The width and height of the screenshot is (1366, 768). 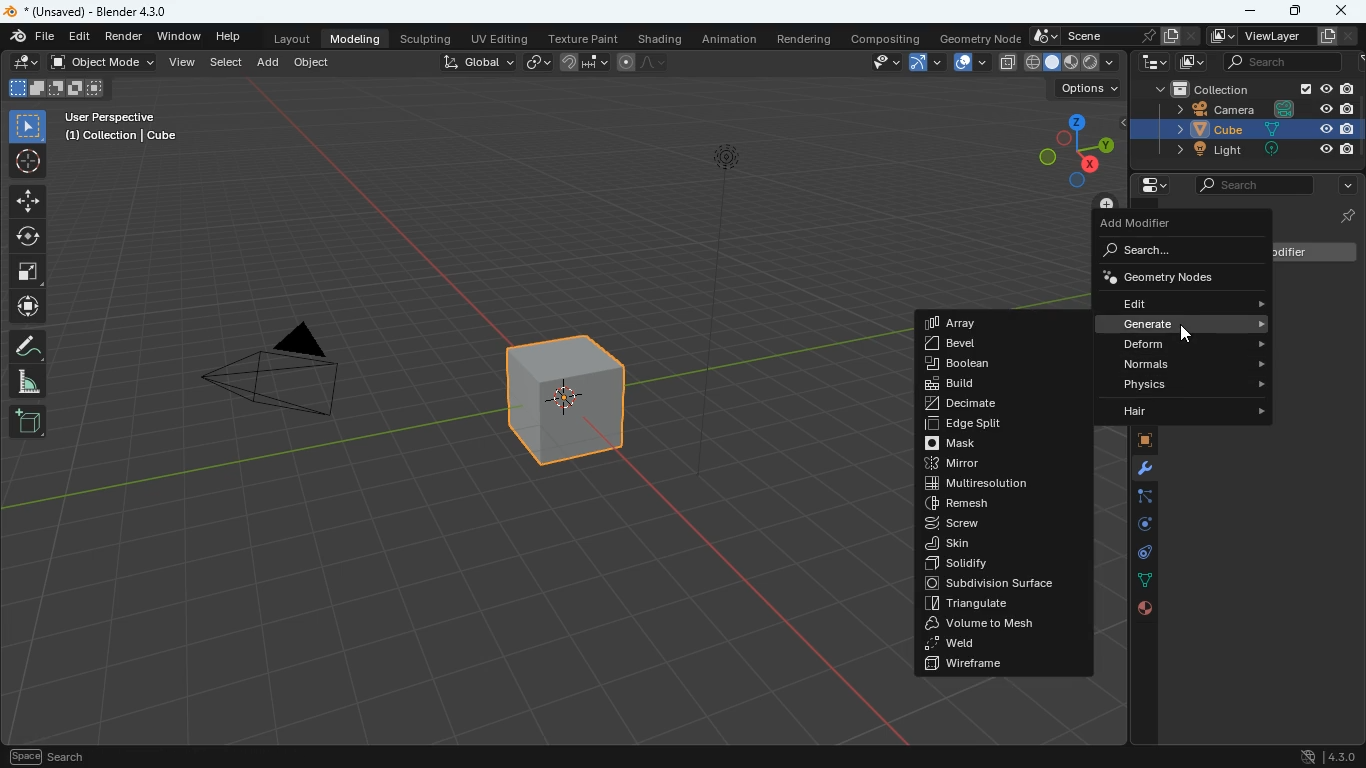 What do you see at coordinates (183, 63) in the screenshot?
I see `view` at bounding box center [183, 63].